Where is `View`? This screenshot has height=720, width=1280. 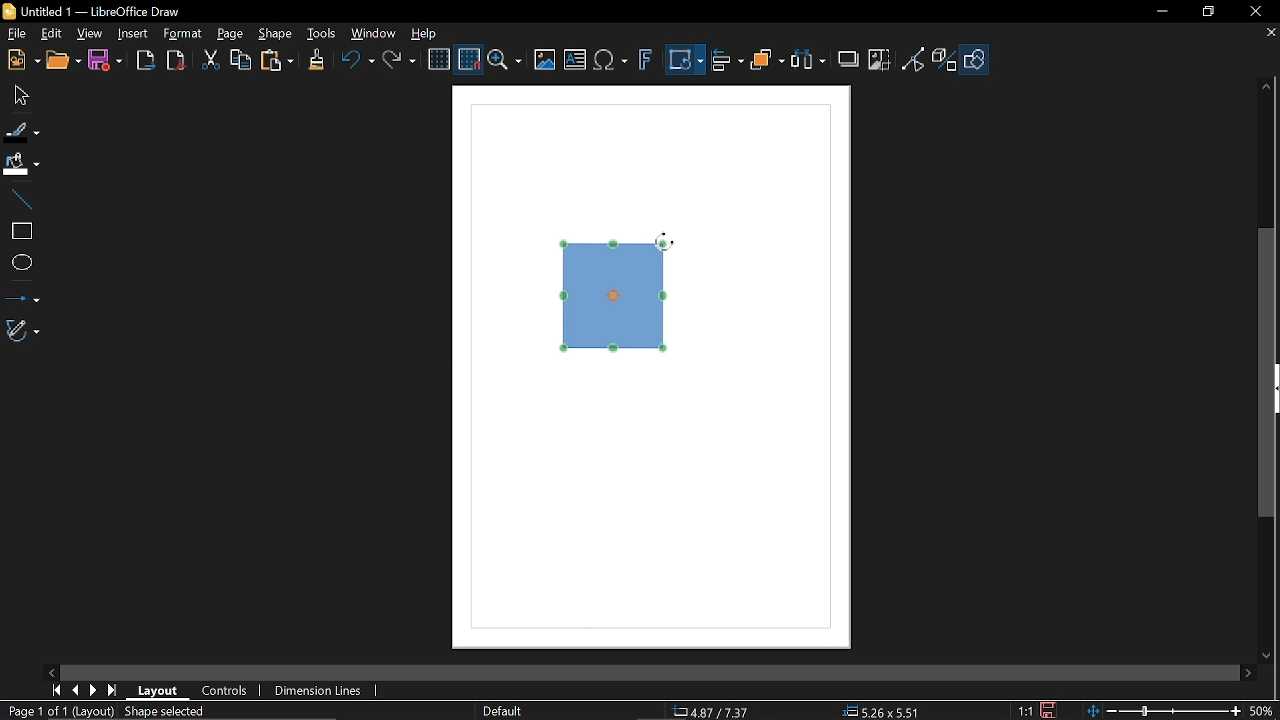 View is located at coordinates (88, 35).